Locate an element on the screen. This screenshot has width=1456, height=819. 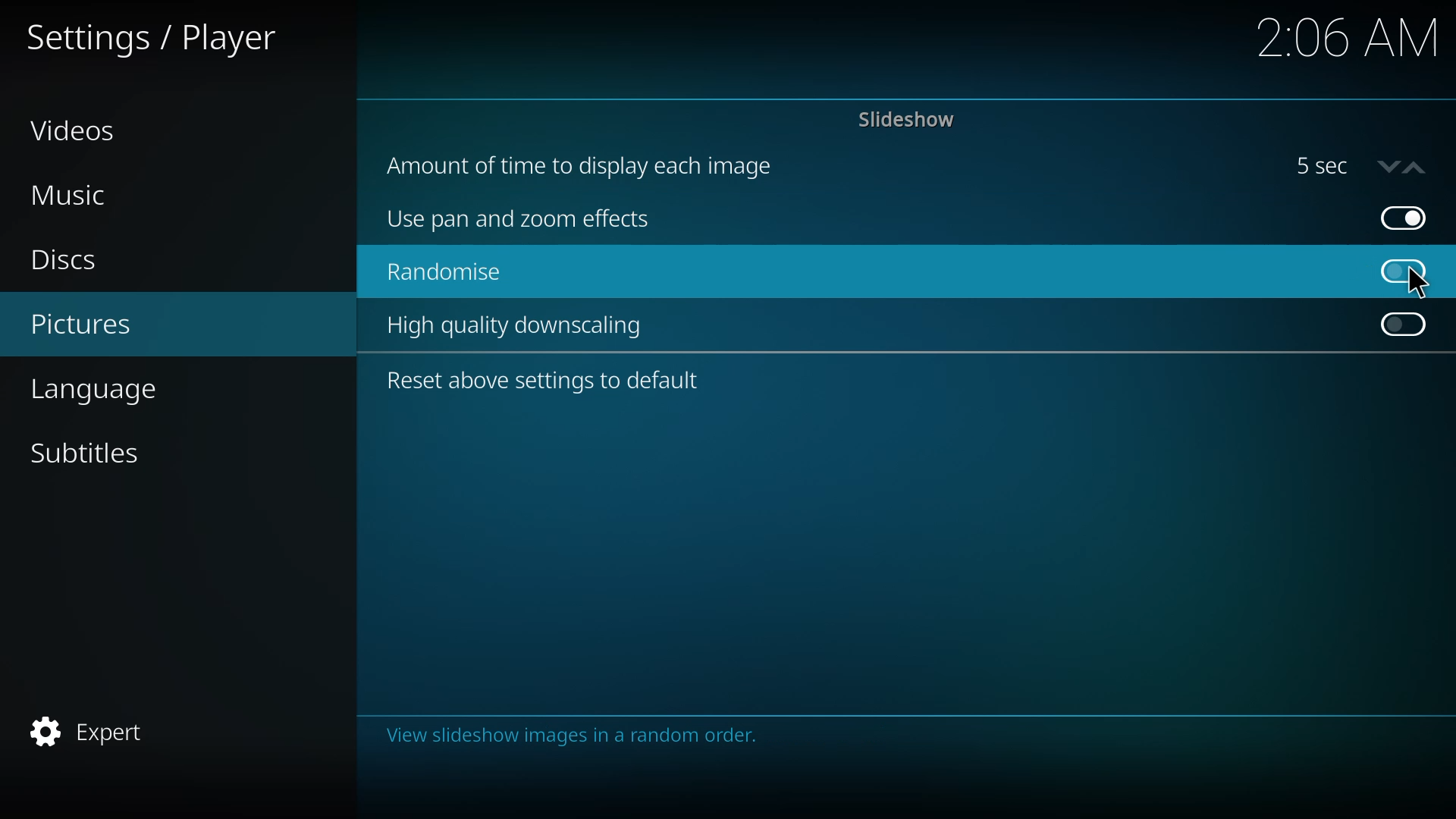
music is located at coordinates (70, 196).